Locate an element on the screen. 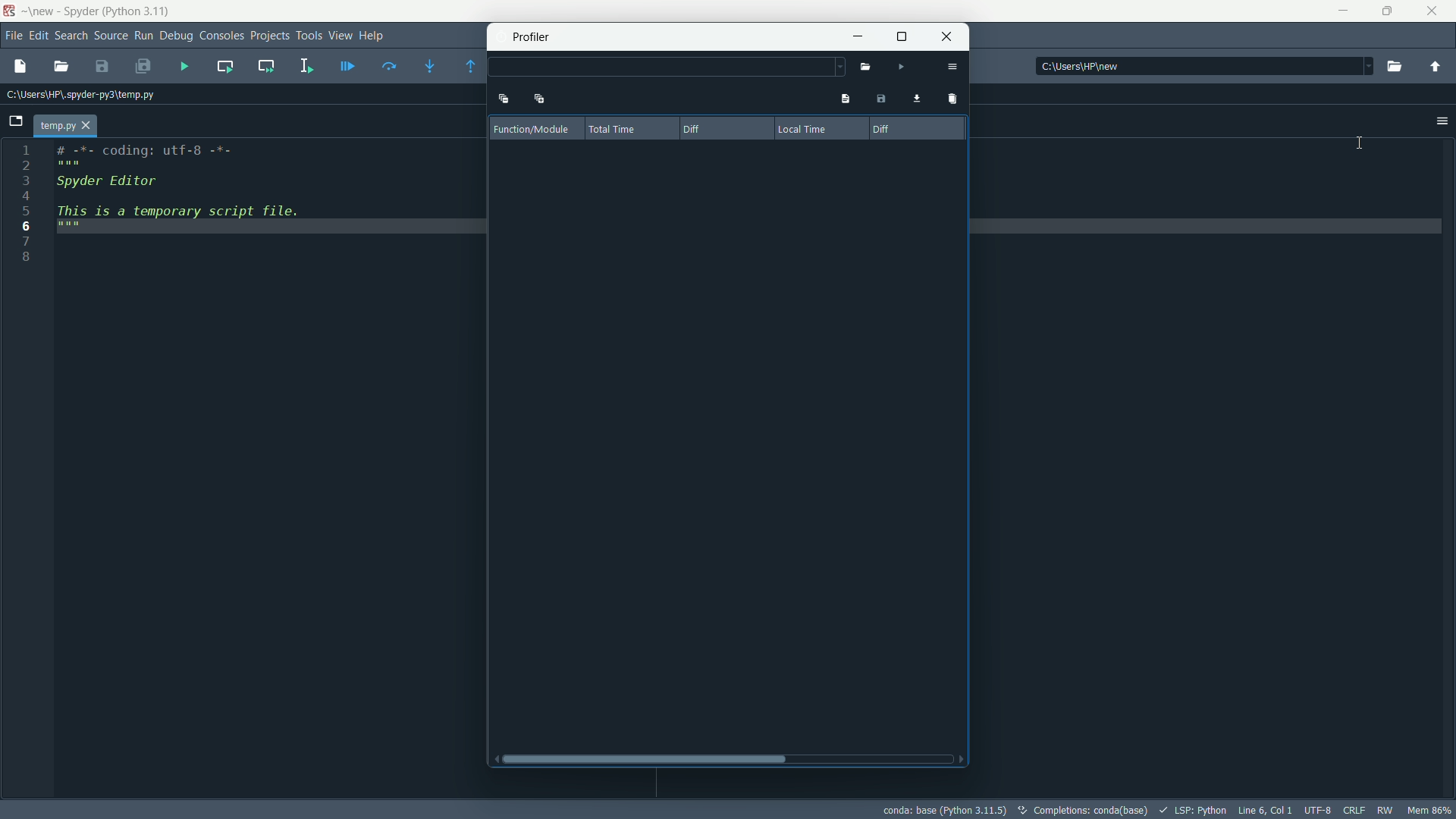 The image size is (1456, 819). run current cell is located at coordinates (225, 67).